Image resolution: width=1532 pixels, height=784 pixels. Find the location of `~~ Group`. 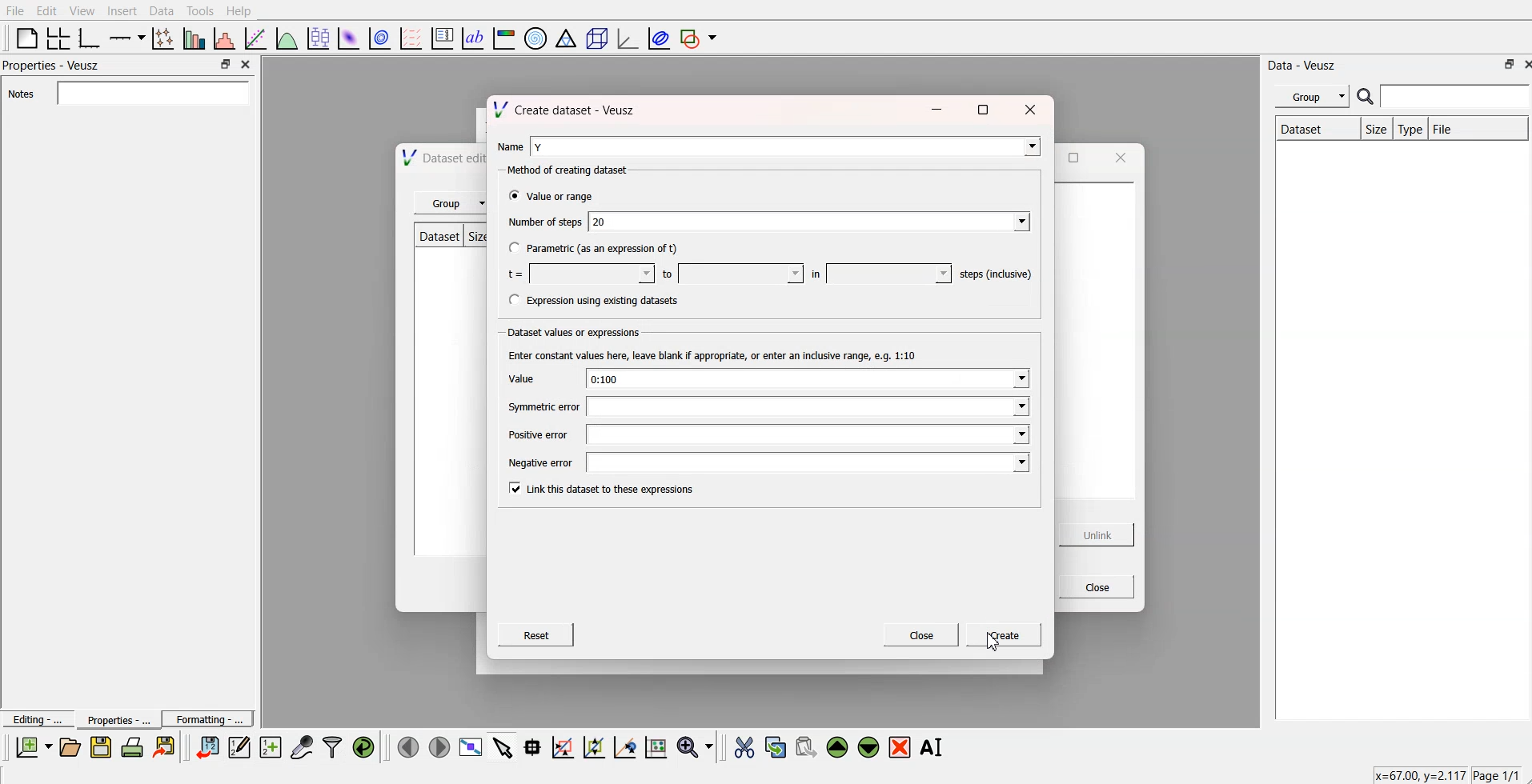

~~ Group is located at coordinates (451, 204).